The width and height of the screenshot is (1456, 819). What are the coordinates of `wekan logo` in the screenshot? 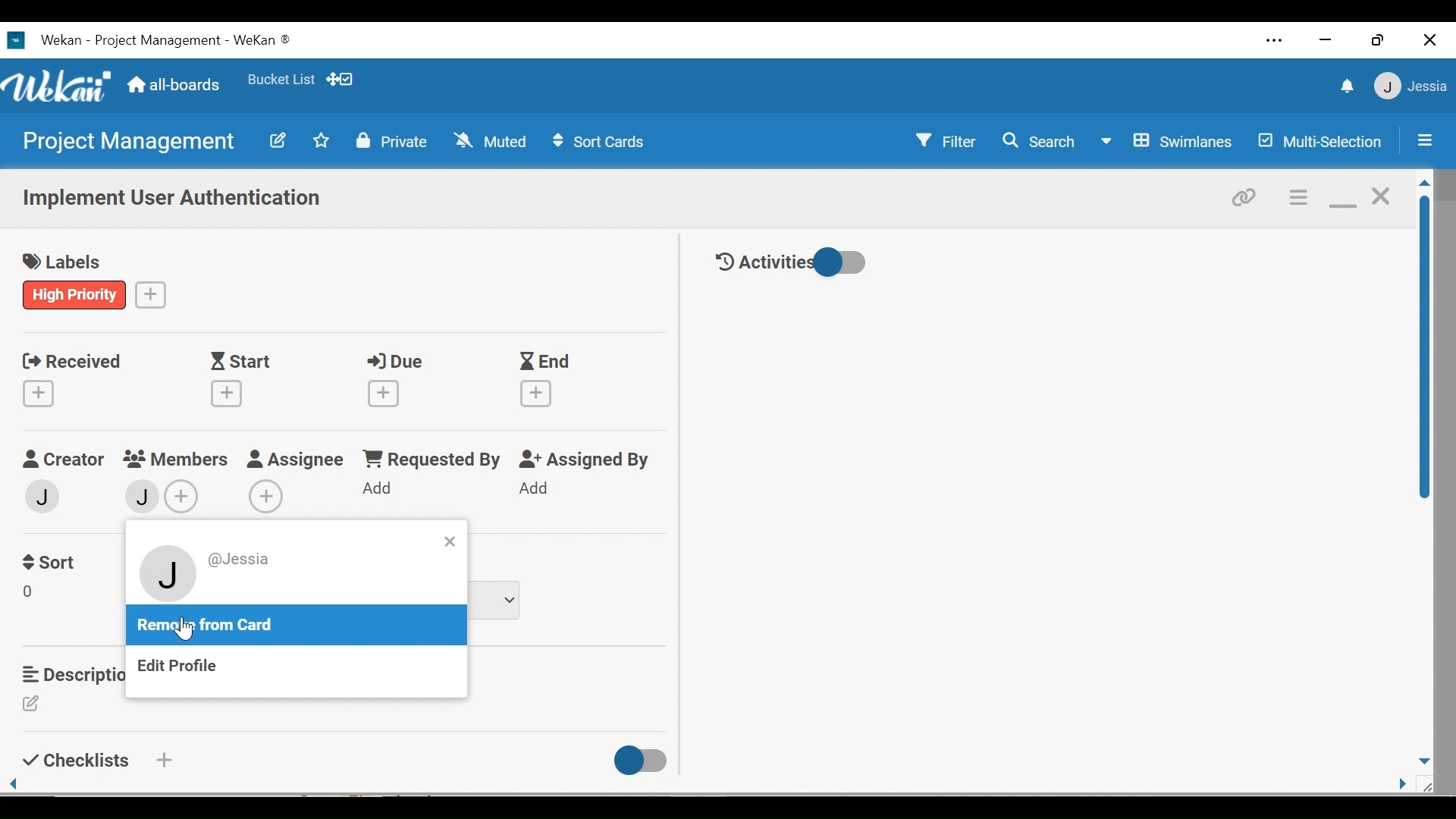 It's located at (15, 40).